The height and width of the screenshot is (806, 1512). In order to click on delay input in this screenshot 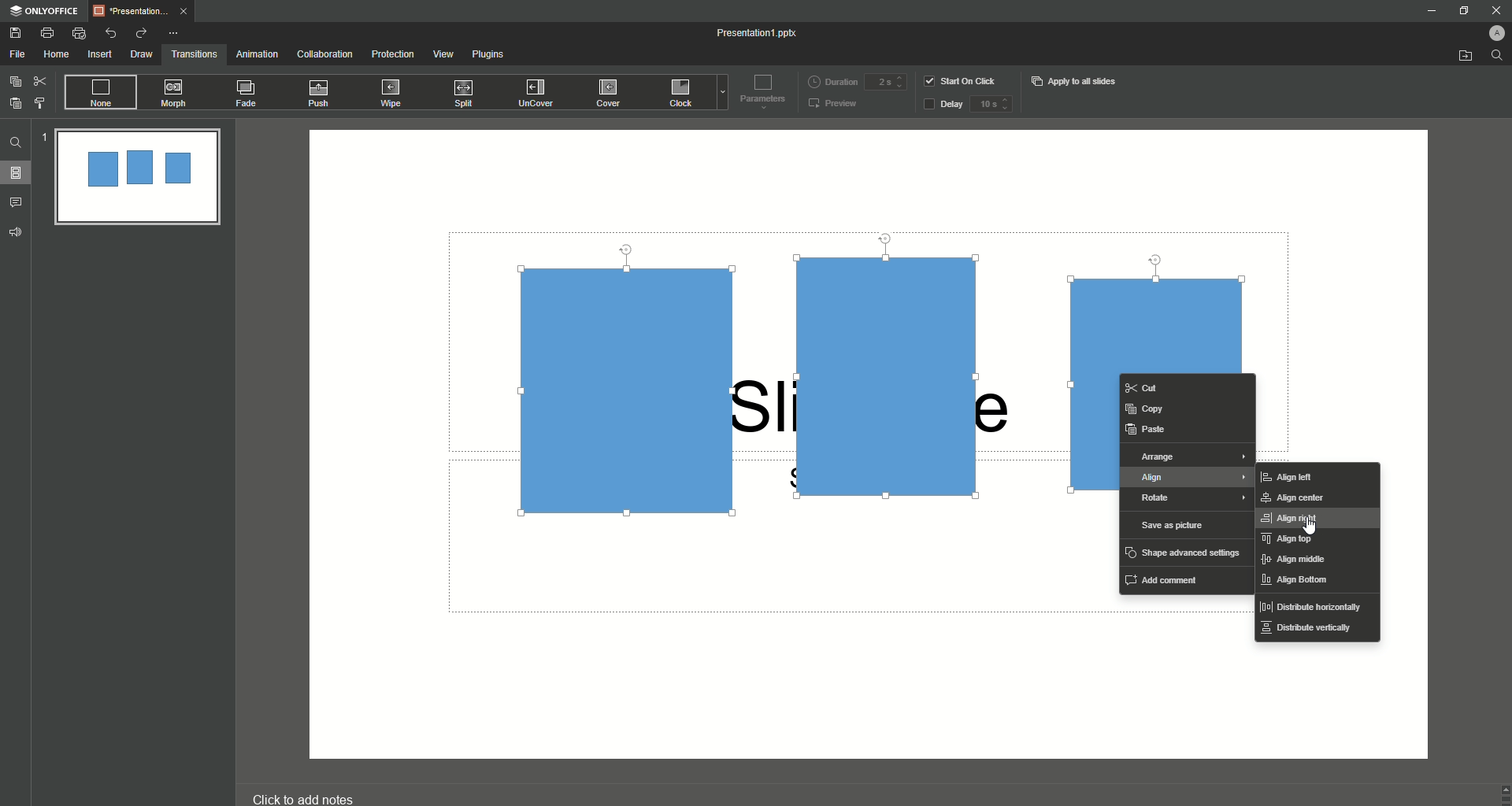, I will do `click(991, 104)`.